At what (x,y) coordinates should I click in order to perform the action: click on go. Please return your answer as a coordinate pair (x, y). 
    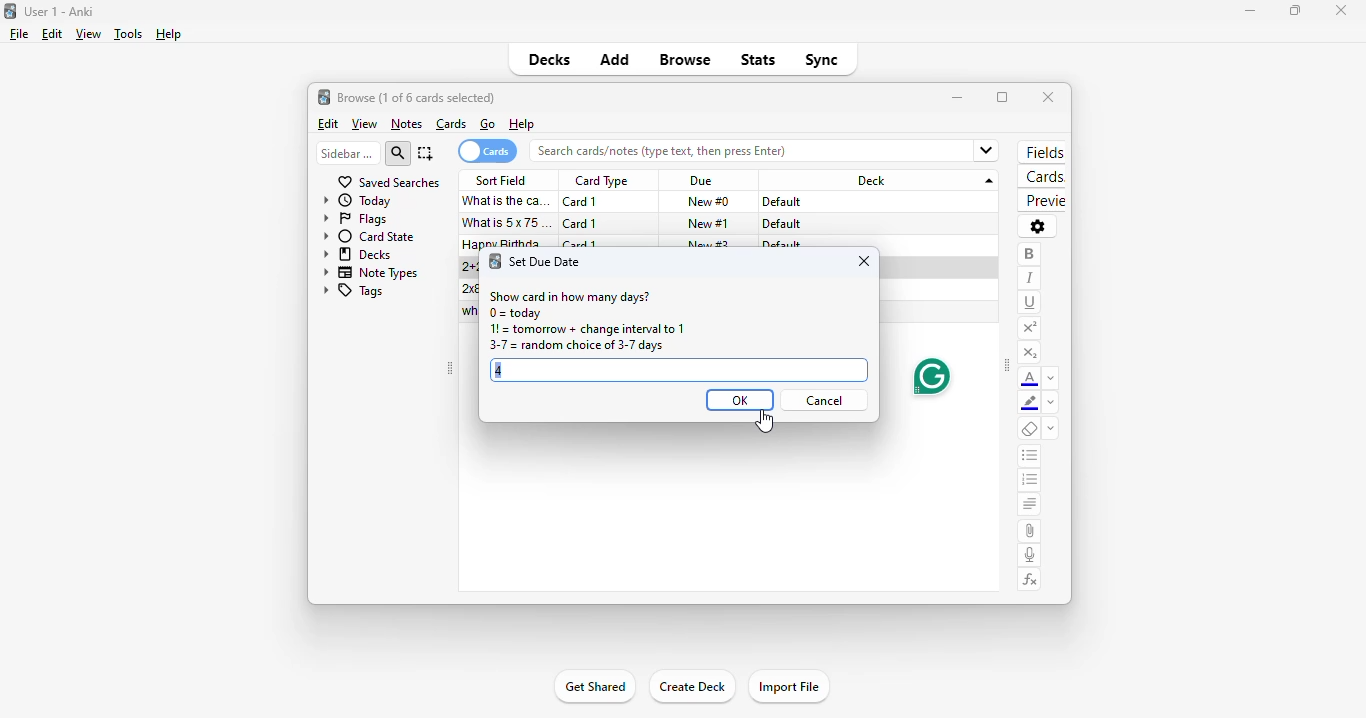
    Looking at the image, I should click on (488, 124).